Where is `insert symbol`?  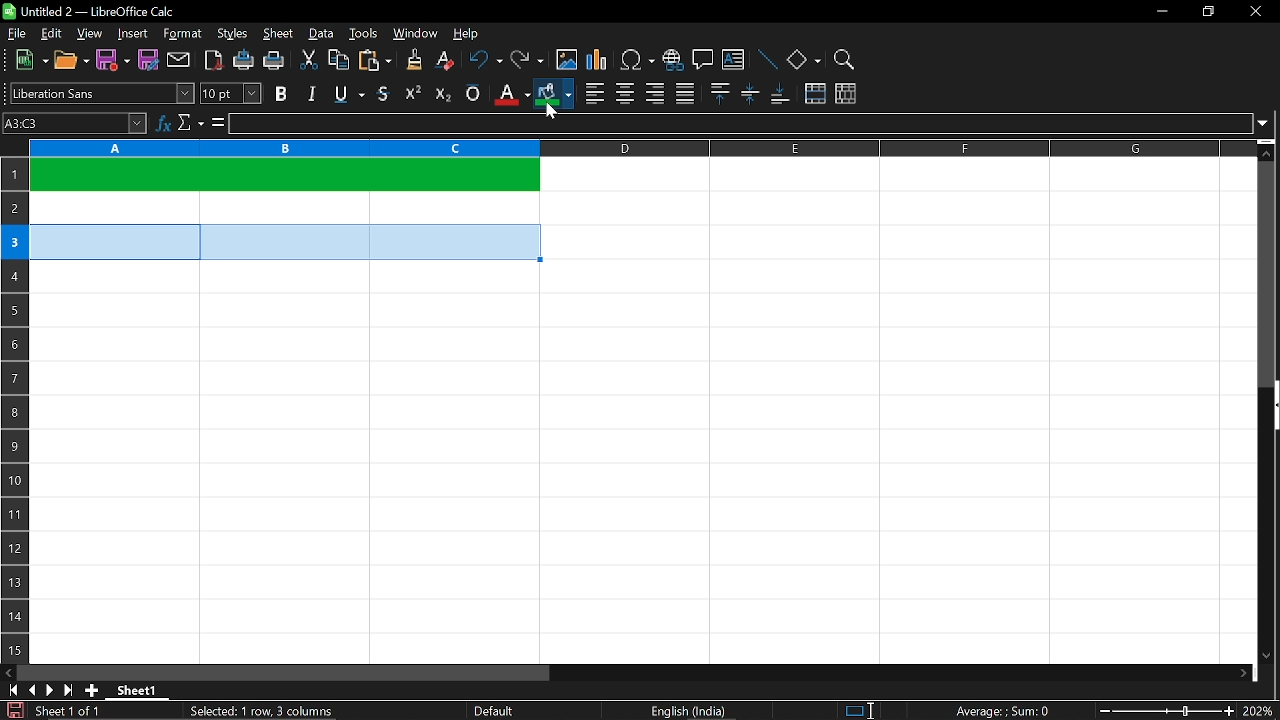 insert symbol is located at coordinates (638, 59).